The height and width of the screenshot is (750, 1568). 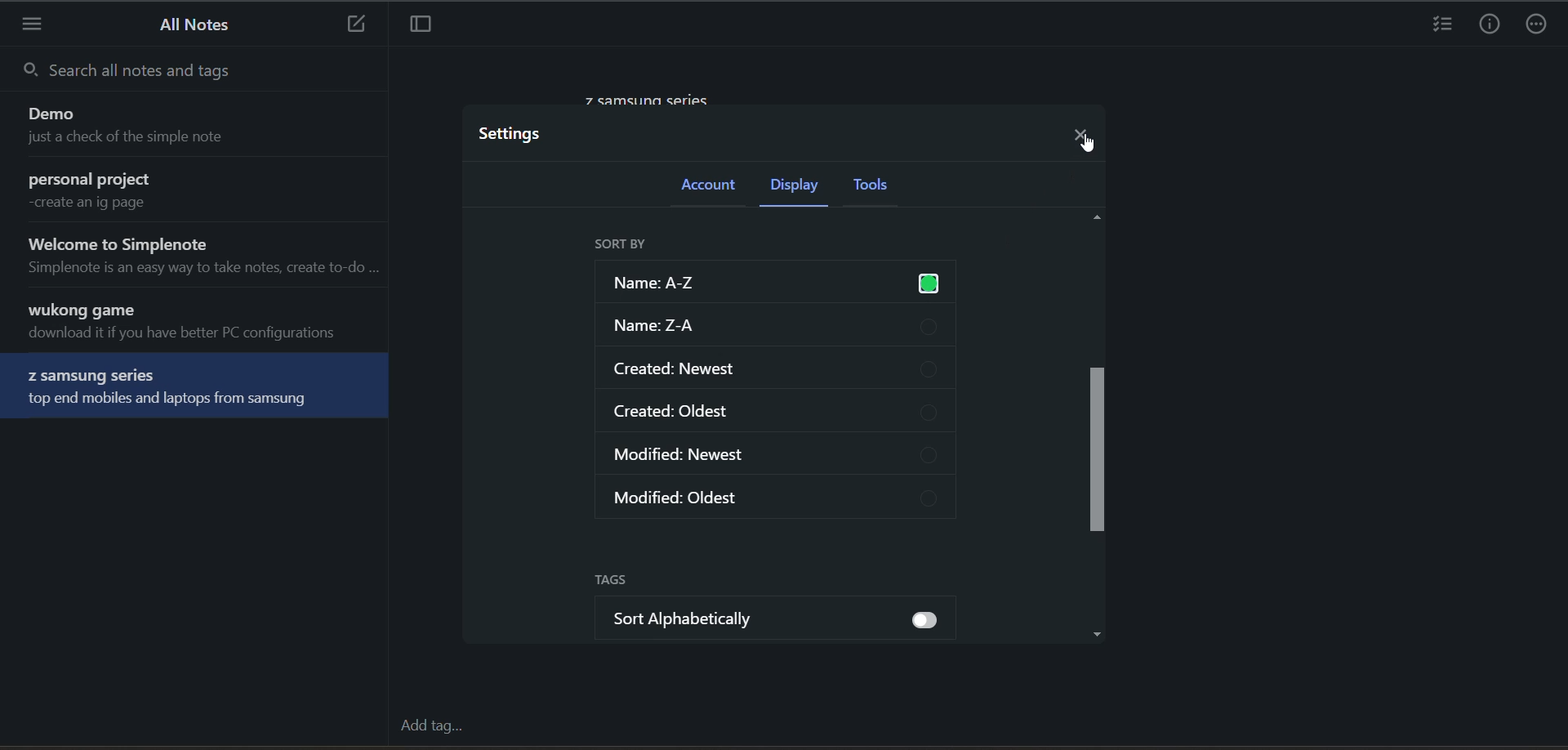 I want to click on settings, so click(x=518, y=135).